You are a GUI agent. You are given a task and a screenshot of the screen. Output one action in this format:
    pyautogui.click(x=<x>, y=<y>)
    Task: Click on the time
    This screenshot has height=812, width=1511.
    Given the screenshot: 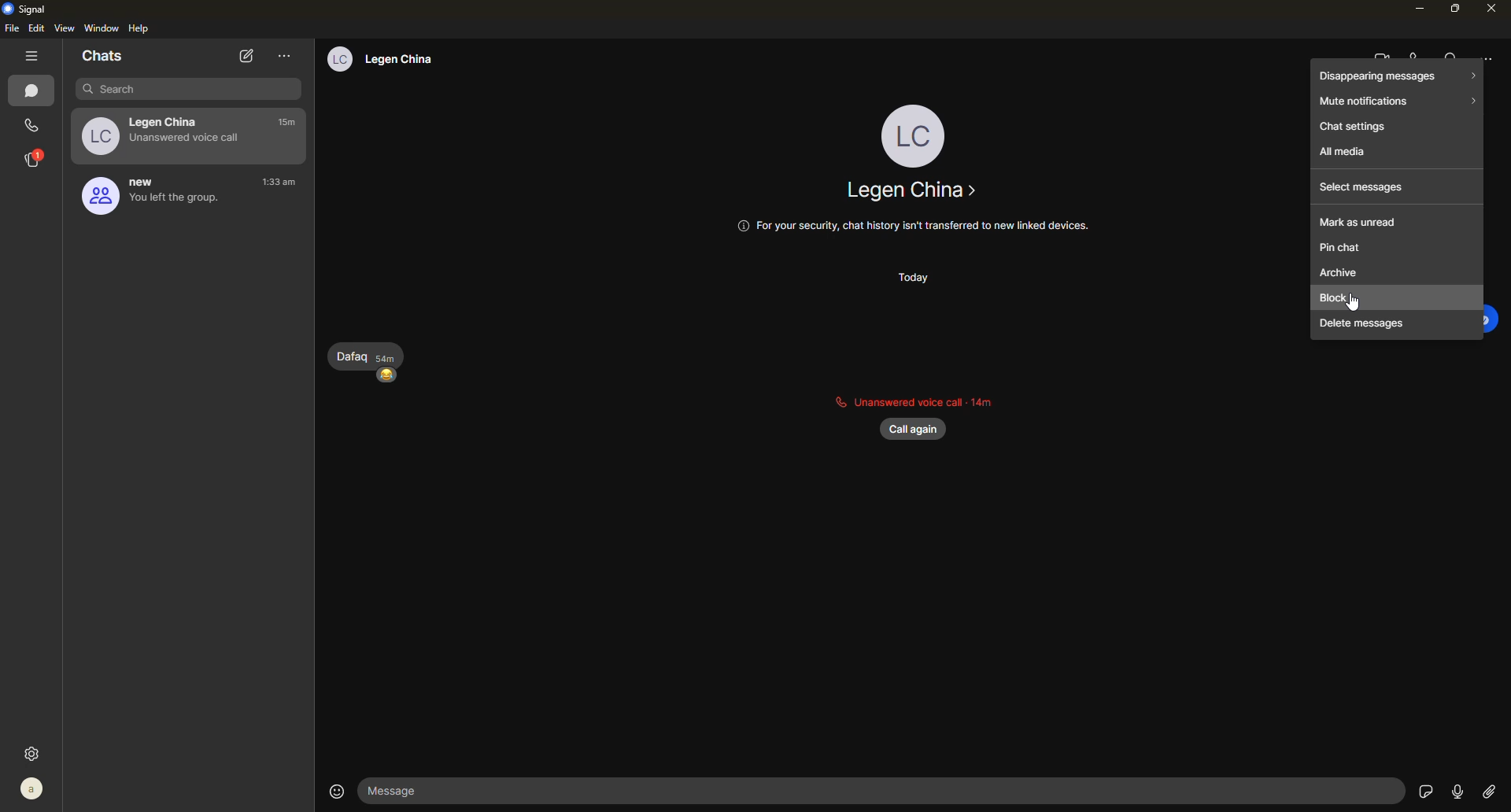 What is the action you would take?
    pyautogui.click(x=281, y=183)
    